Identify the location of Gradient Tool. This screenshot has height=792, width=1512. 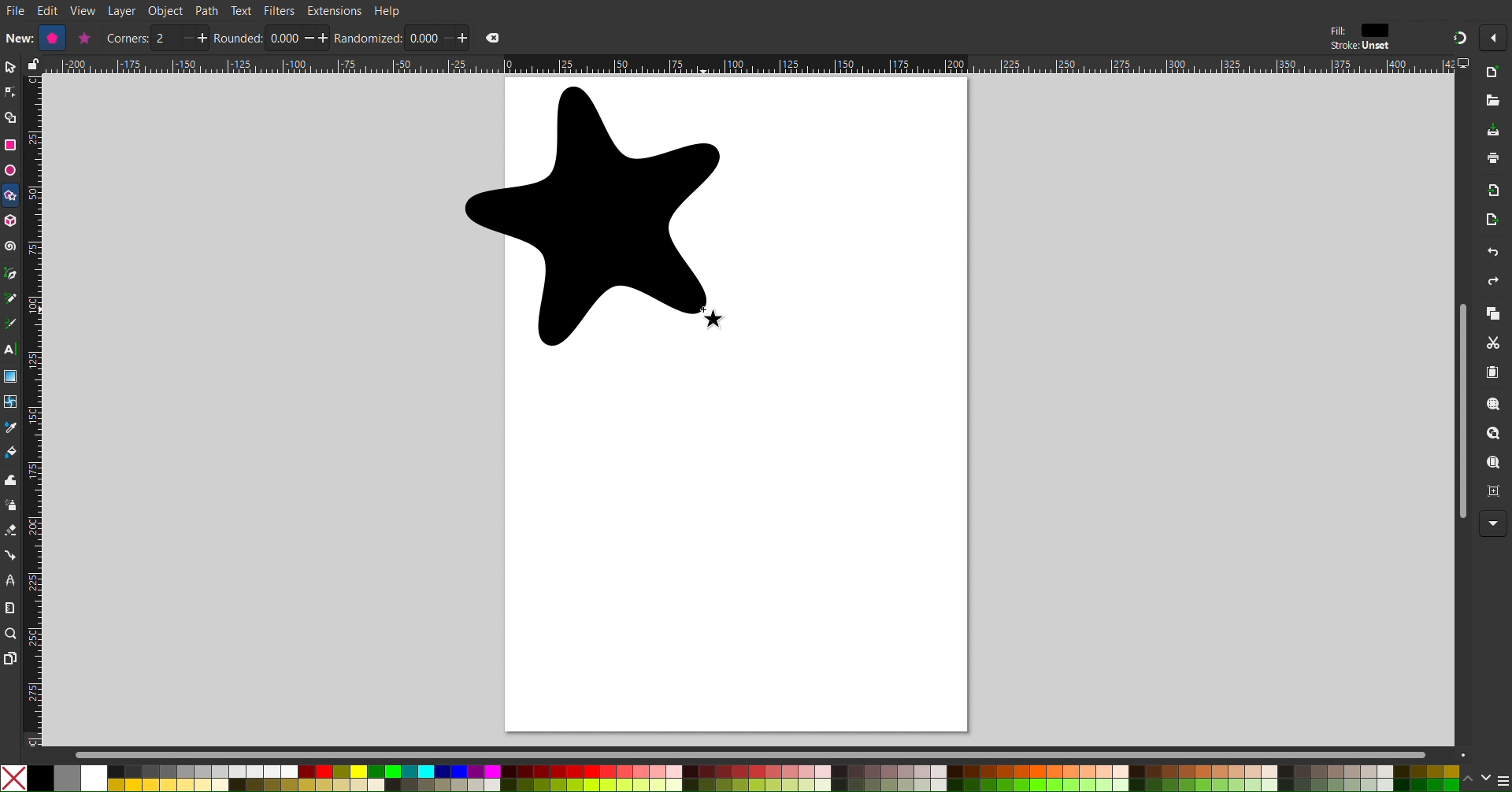
(11, 376).